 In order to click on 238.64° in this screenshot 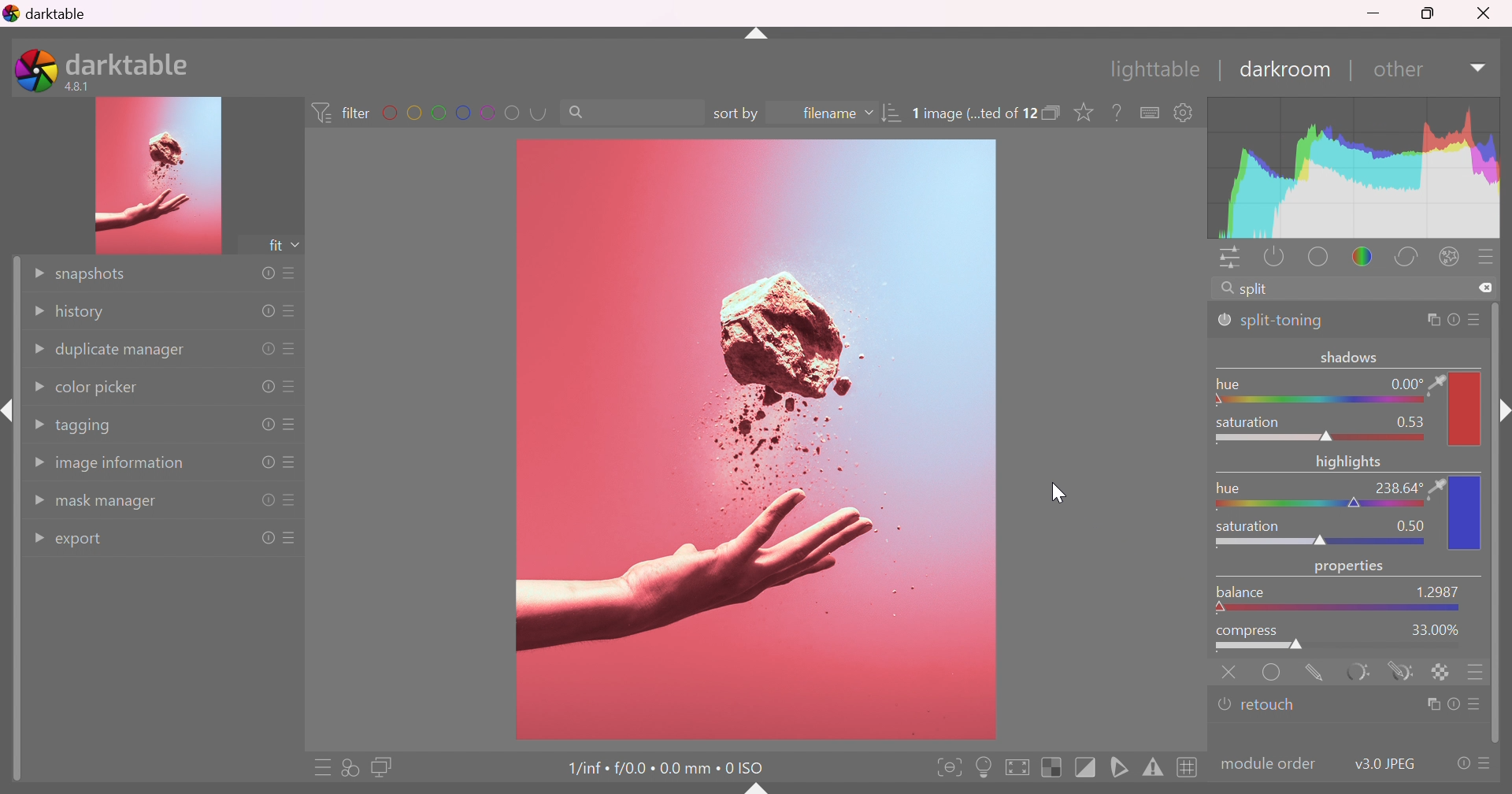, I will do `click(1398, 487)`.